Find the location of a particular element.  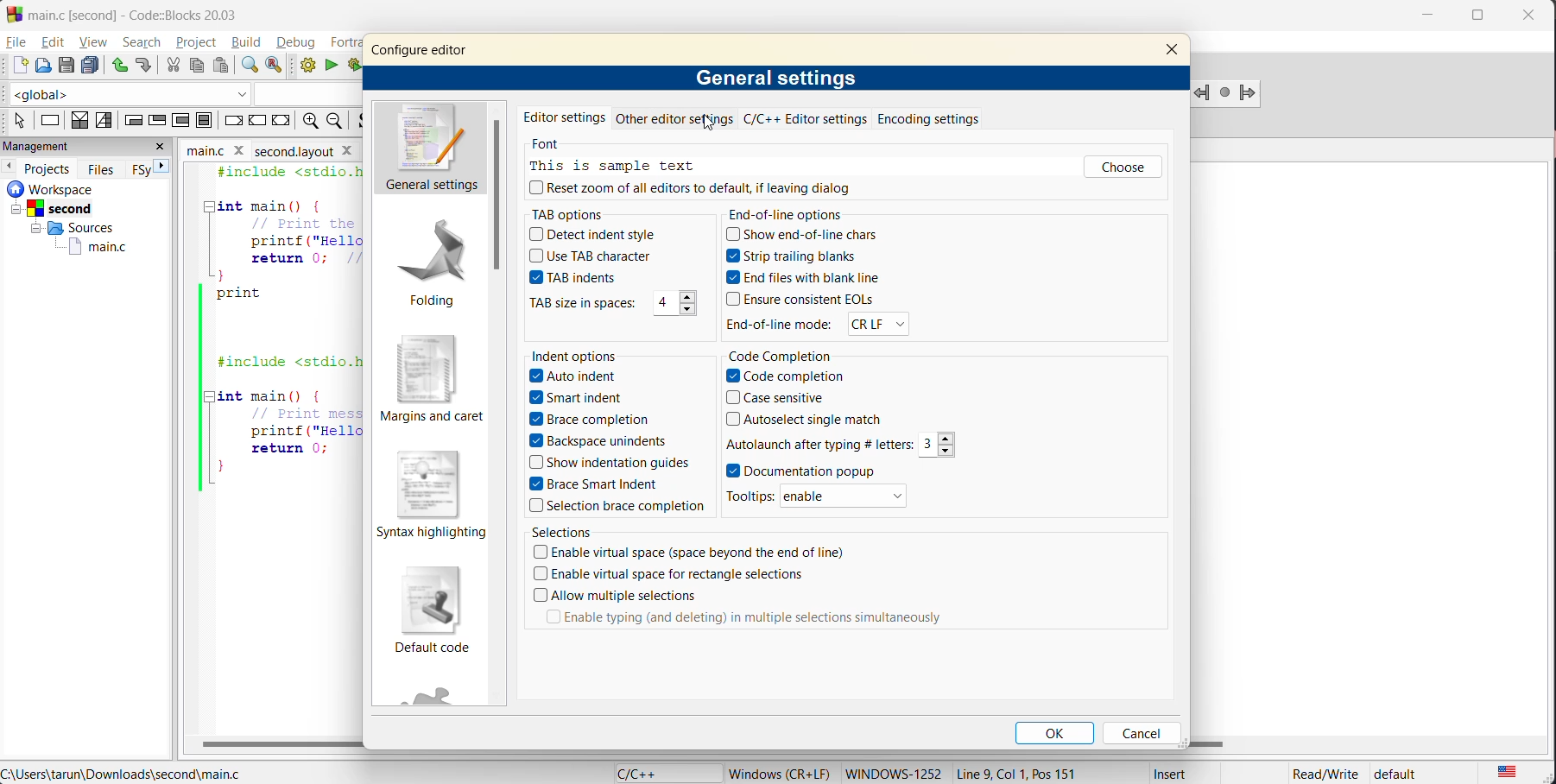

indent options is located at coordinates (622, 357).